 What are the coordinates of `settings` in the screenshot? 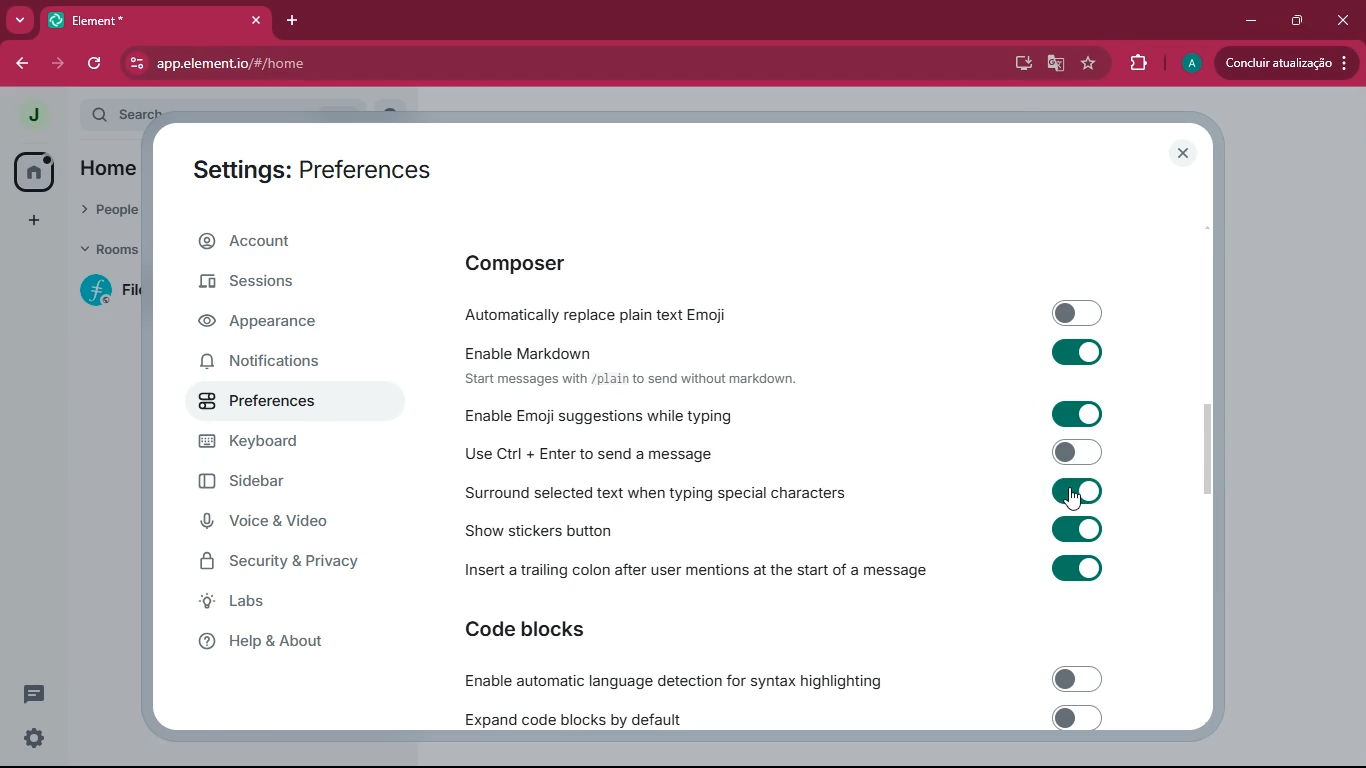 It's located at (29, 738).